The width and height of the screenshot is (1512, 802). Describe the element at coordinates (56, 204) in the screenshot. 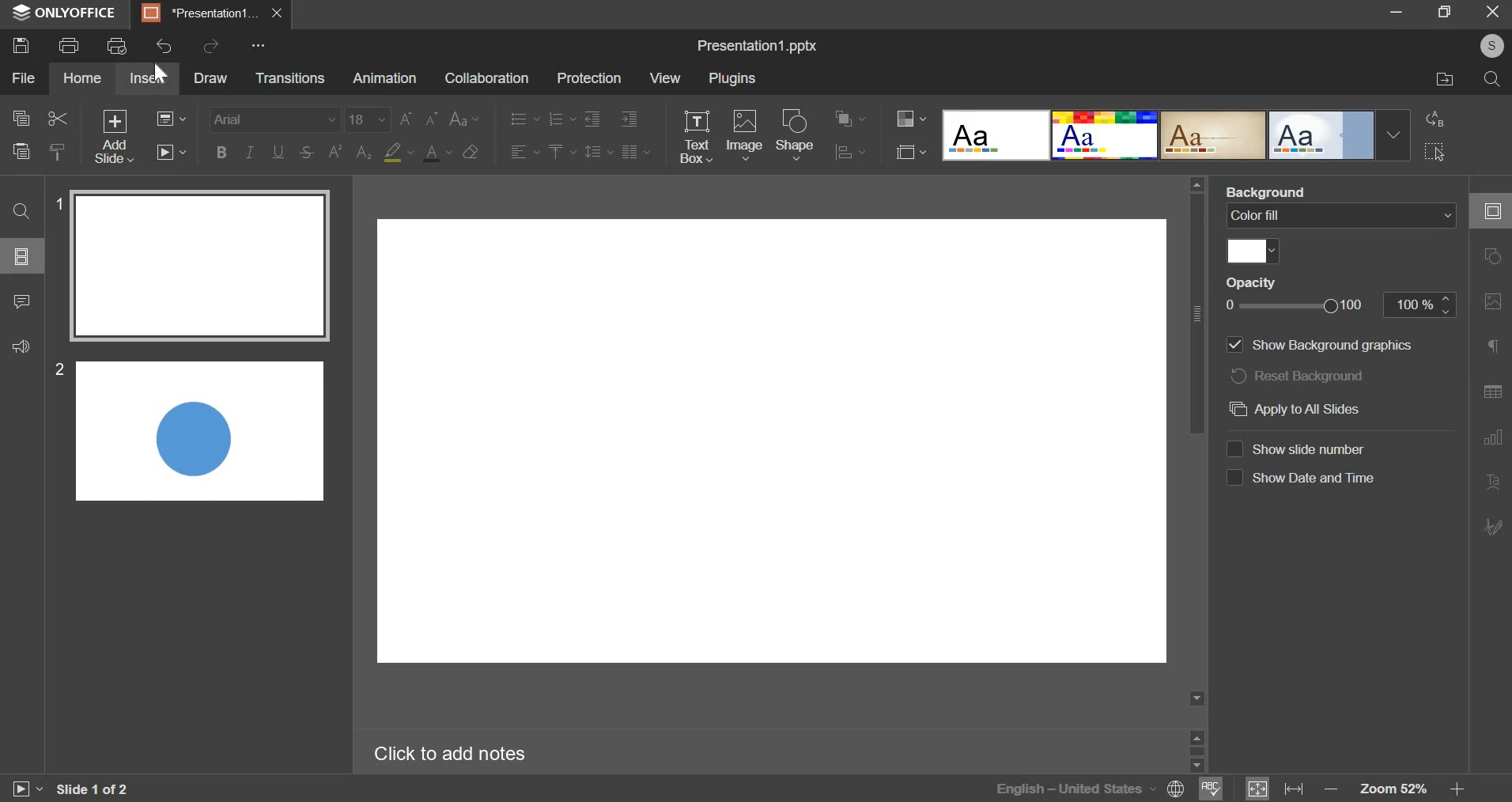

I see `1` at that location.